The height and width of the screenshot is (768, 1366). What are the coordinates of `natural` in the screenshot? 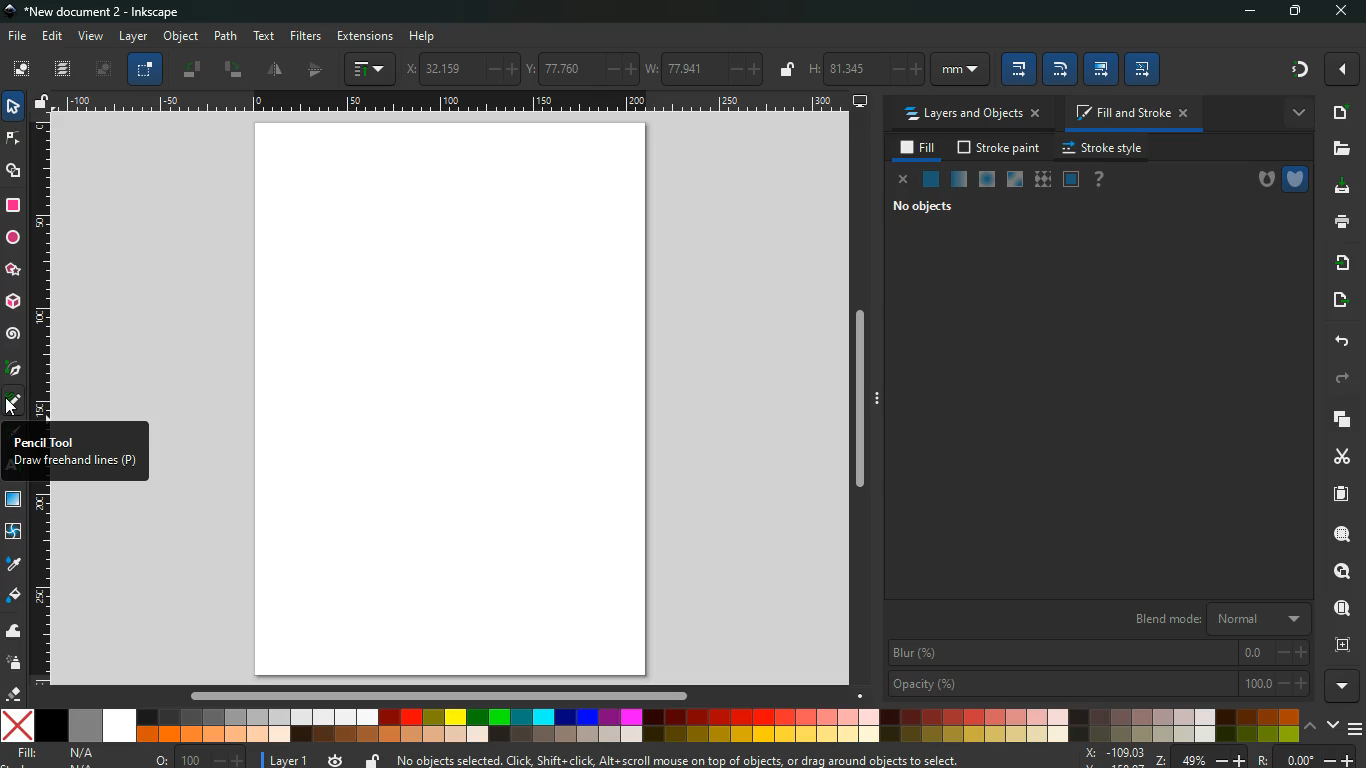 It's located at (931, 178).